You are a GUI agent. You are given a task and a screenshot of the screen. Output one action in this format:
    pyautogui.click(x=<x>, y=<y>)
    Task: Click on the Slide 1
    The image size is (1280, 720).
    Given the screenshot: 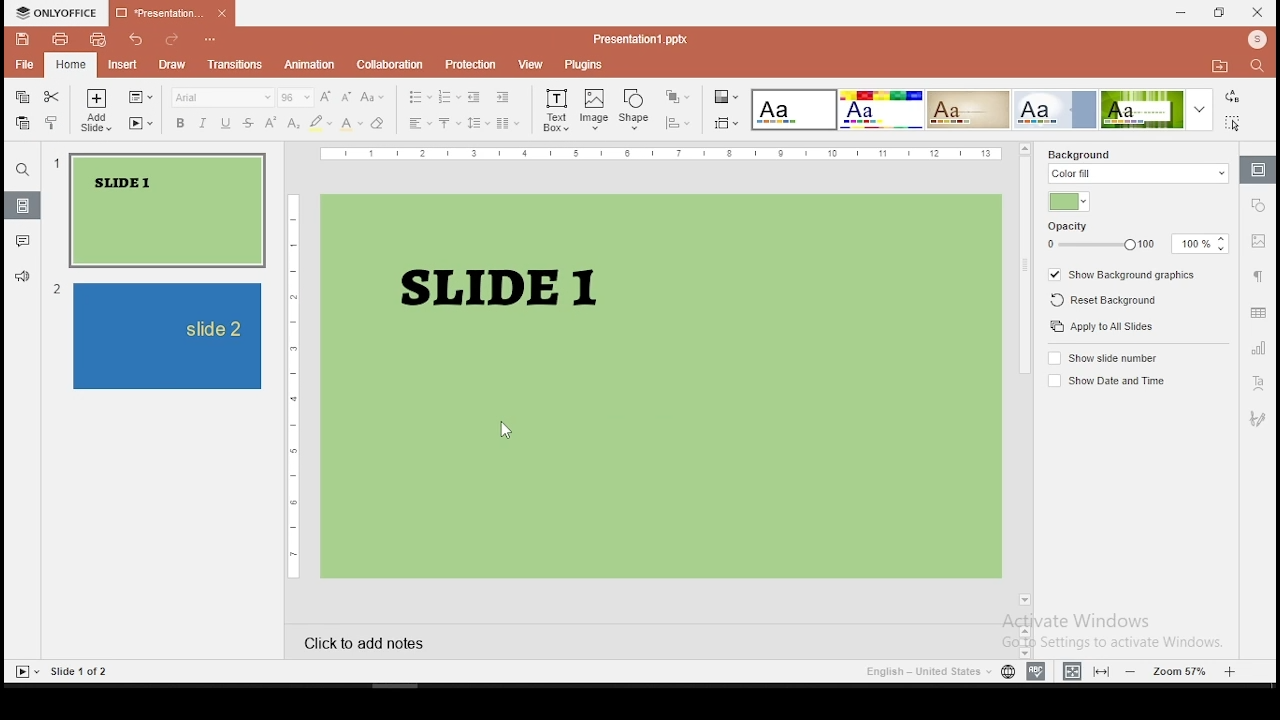 What is the action you would take?
    pyautogui.click(x=664, y=390)
    